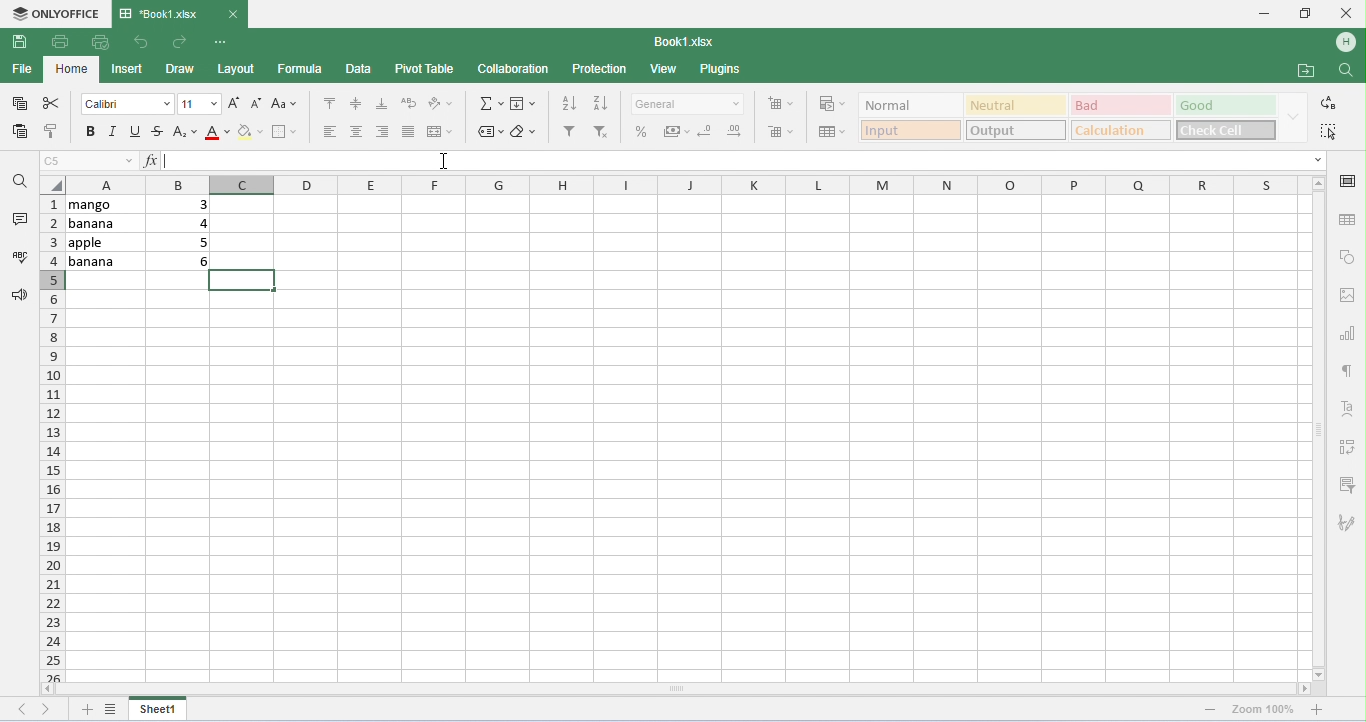  What do you see at coordinates (359, 132) in the screenshot?
I see `align center` at bounding box center [359, 132].